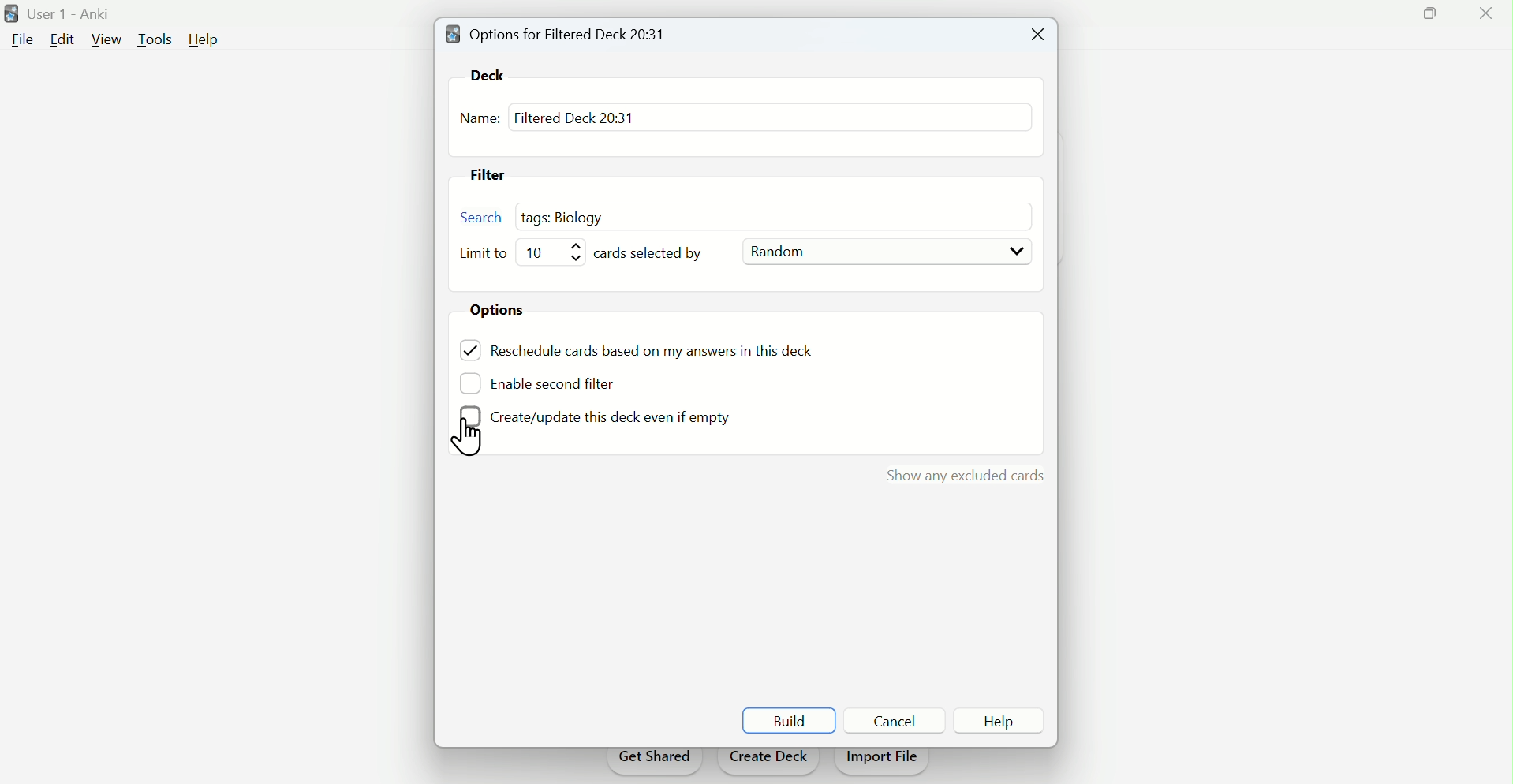 The width and height of the screenshot is (1513, 784). I want to click on Filter, so click(495, 177).